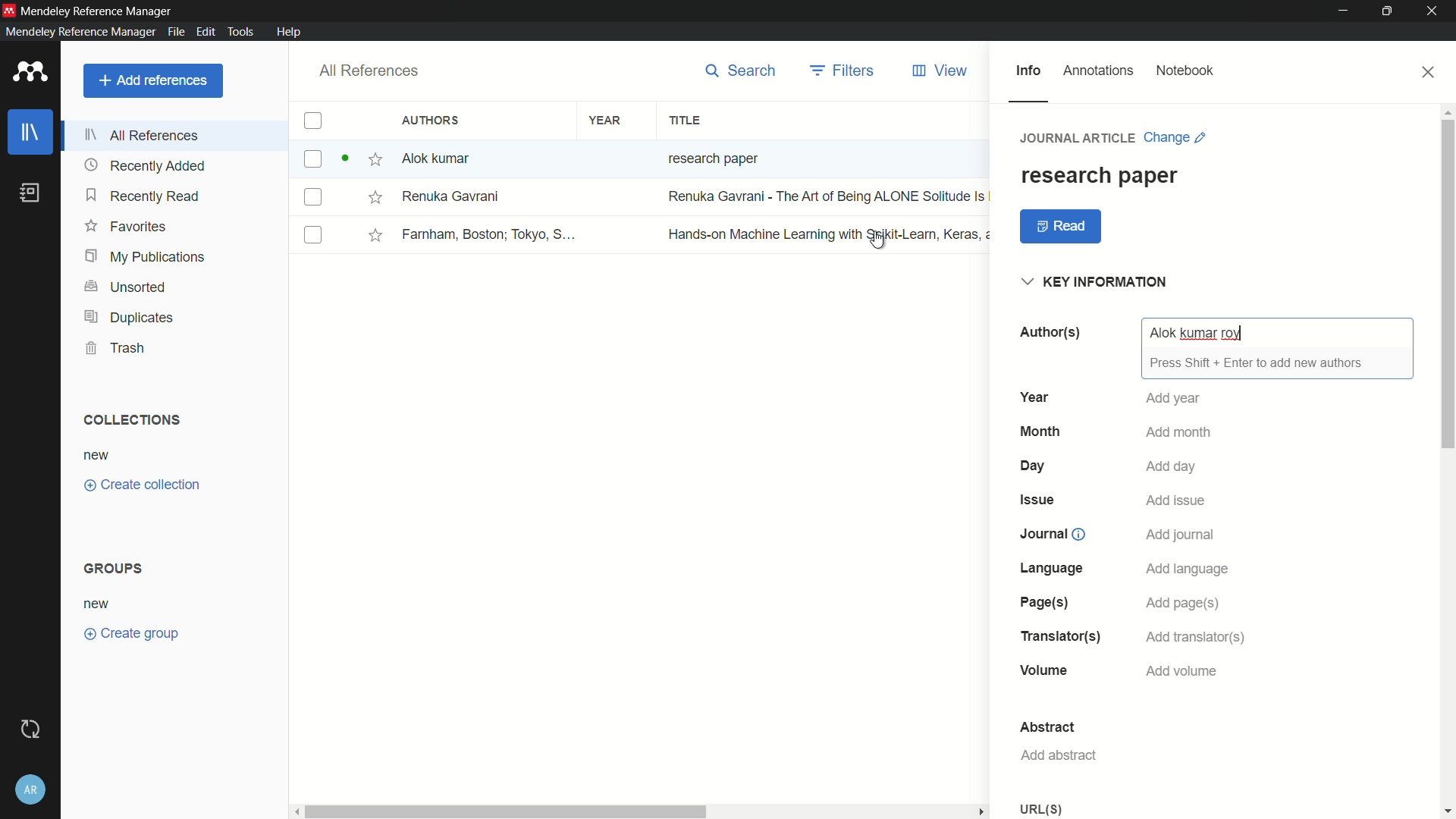 The height and width of the screenshot is (819, 1456). What do you see at coordinates (97, 457) in the screenshot?
I see `new` at bounding box center [97, 457].